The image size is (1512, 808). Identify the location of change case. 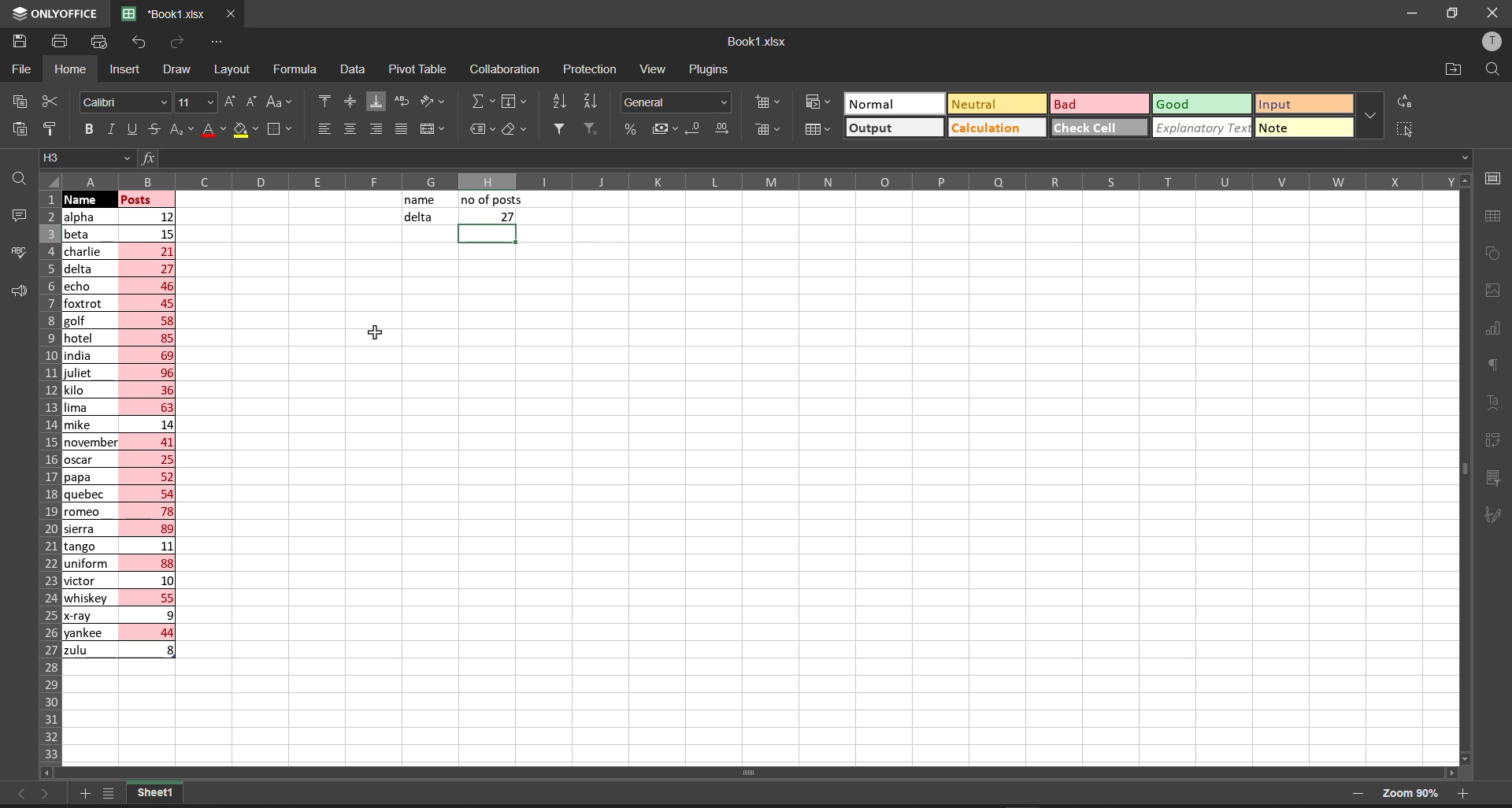
(281, 102).